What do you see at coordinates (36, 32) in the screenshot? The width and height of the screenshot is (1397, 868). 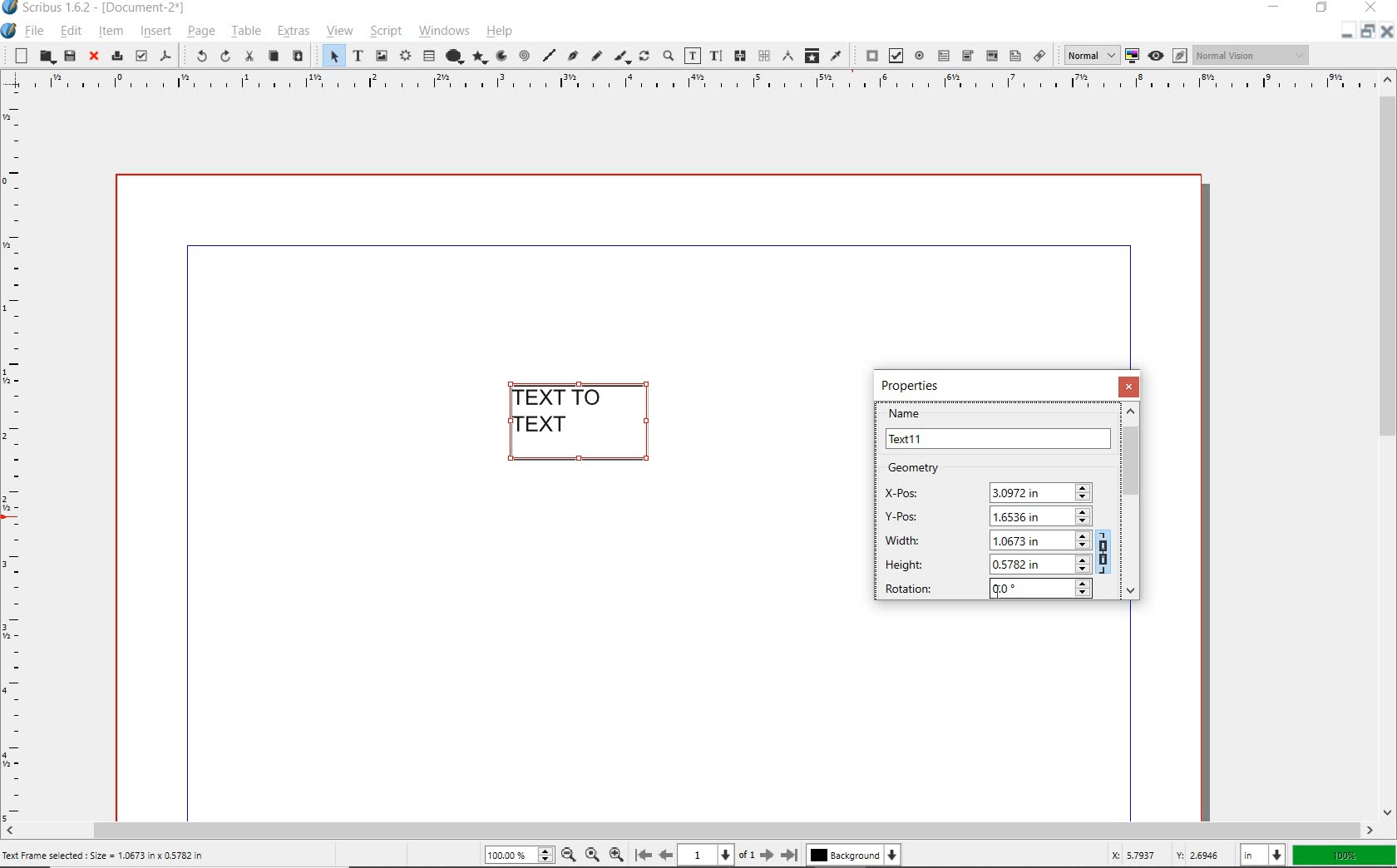 I see `file` at bounding box center [36, 32].